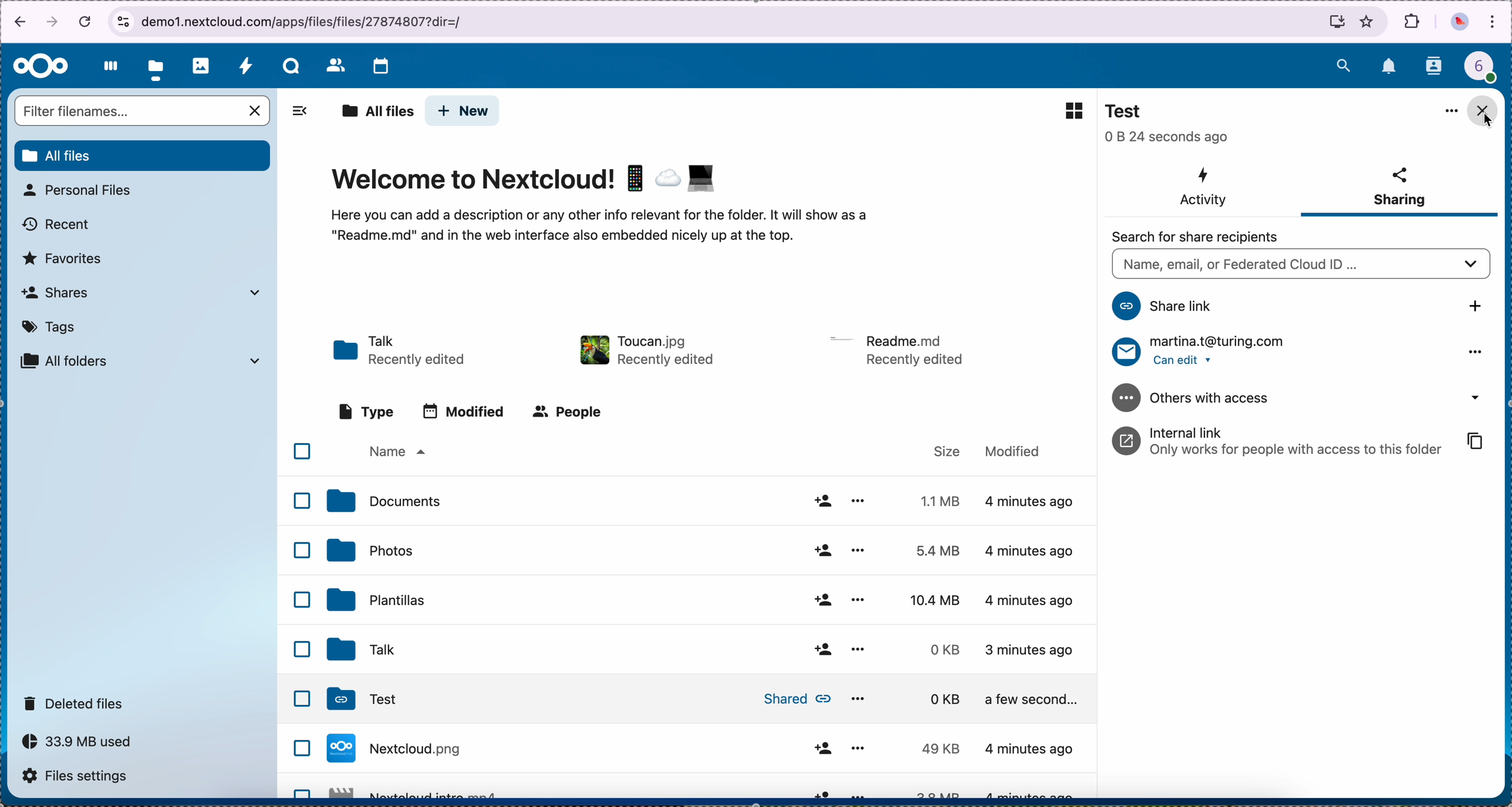 This screenshot has width=1512, height=807. What do you see at coordinates (123, 22) in the screenshot?
I see `view site information` at bounding box center [123, 22].